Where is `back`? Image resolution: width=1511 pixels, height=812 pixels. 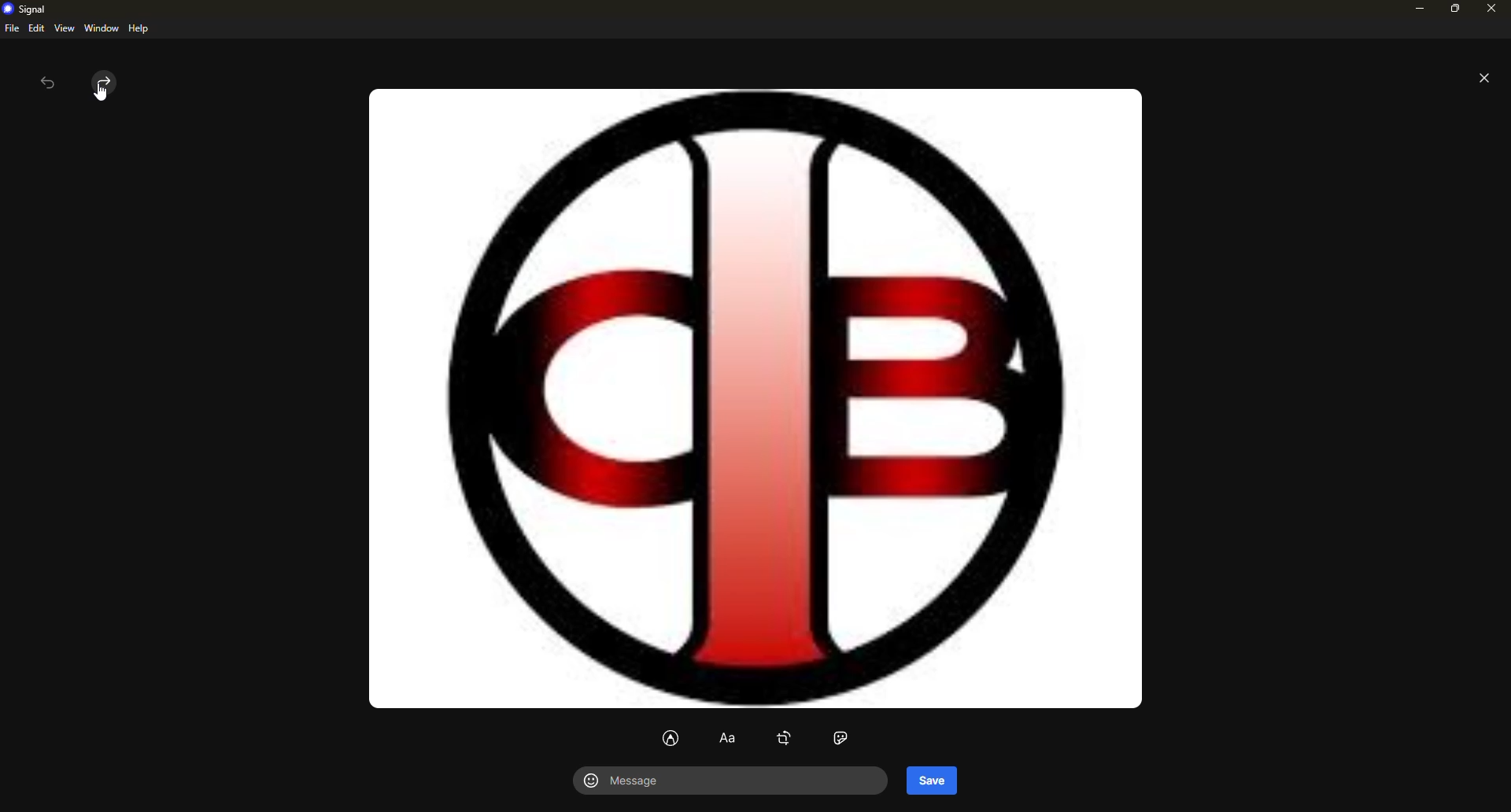
back is located at coordinates (47, 85).